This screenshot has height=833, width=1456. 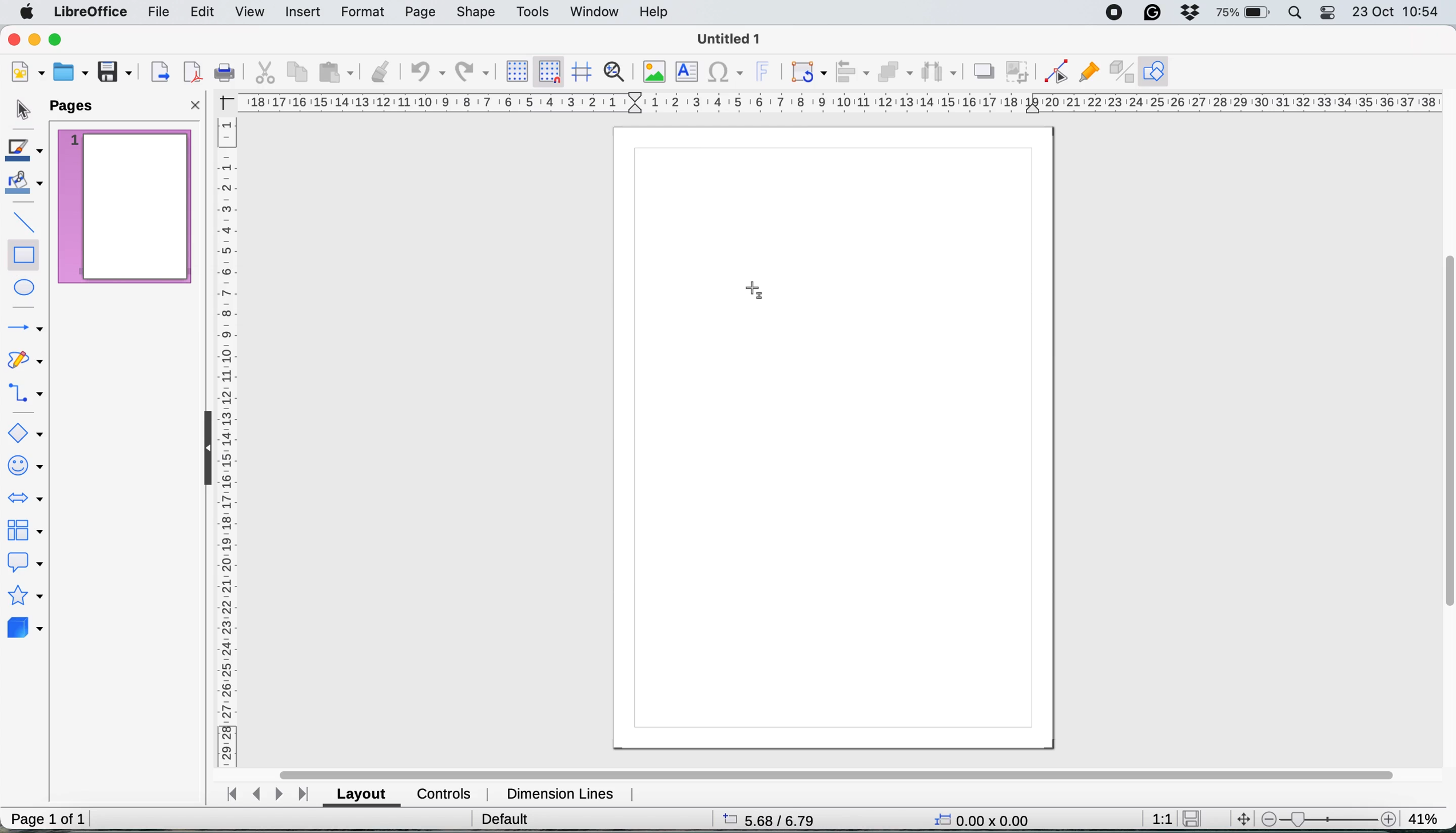 I want to click on align objects, so click(x=852, y=72).